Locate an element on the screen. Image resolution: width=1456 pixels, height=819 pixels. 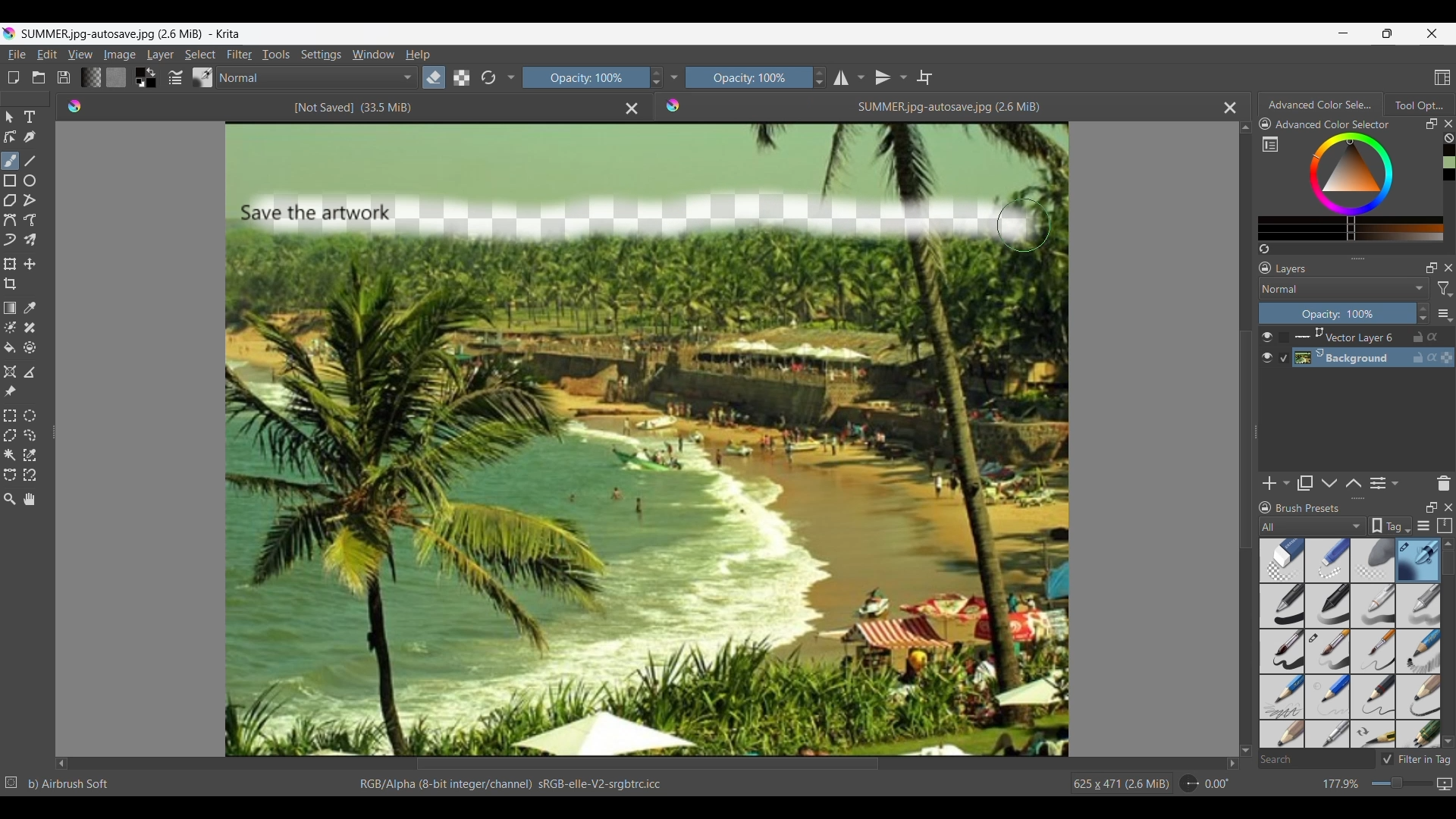
Set eraser mode is located at coordinates (434, 77).